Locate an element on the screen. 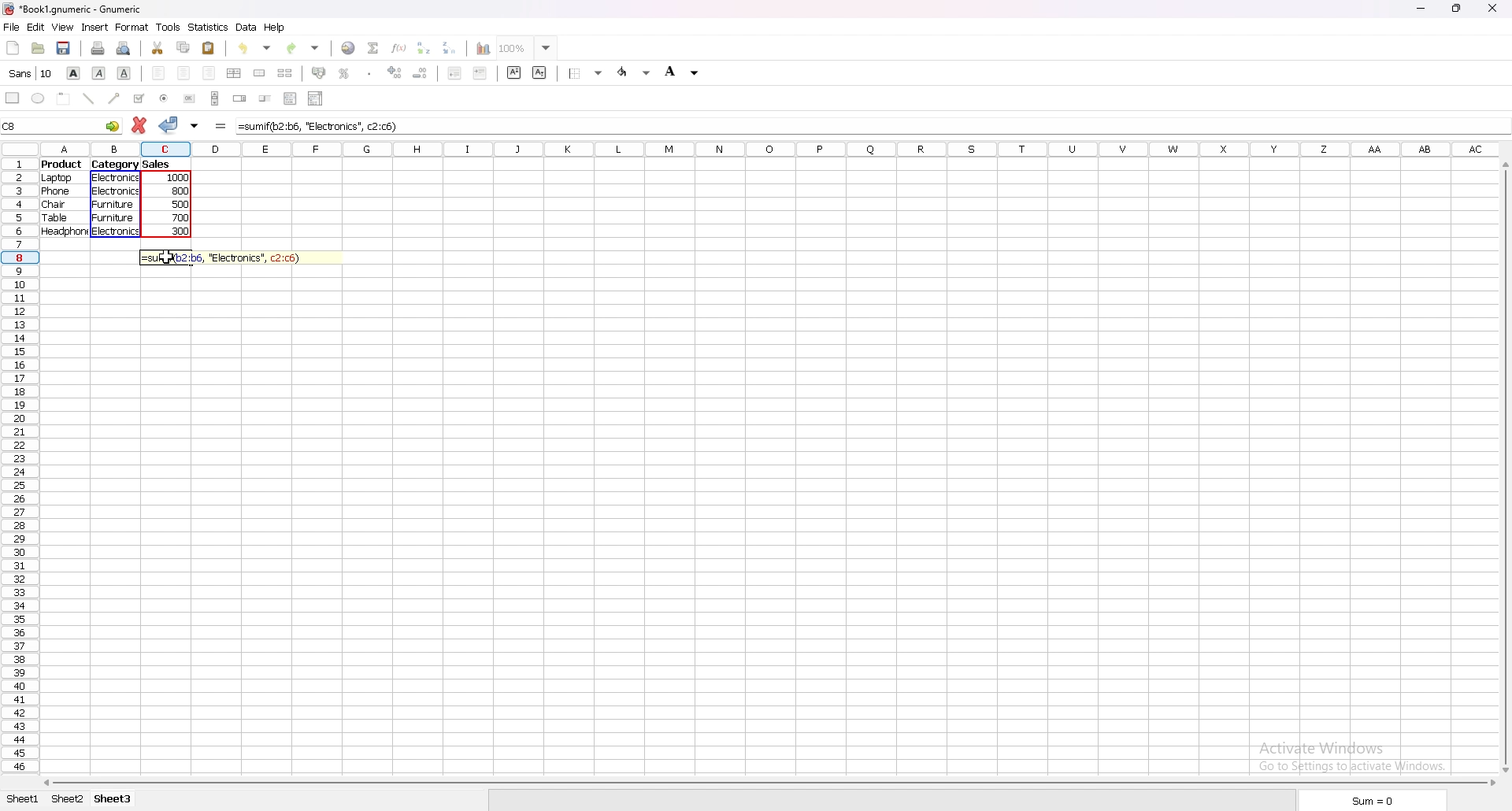 Image resolution: width=1512 pixels, height=811 pixels. file name is located at coordinates (73, 9).